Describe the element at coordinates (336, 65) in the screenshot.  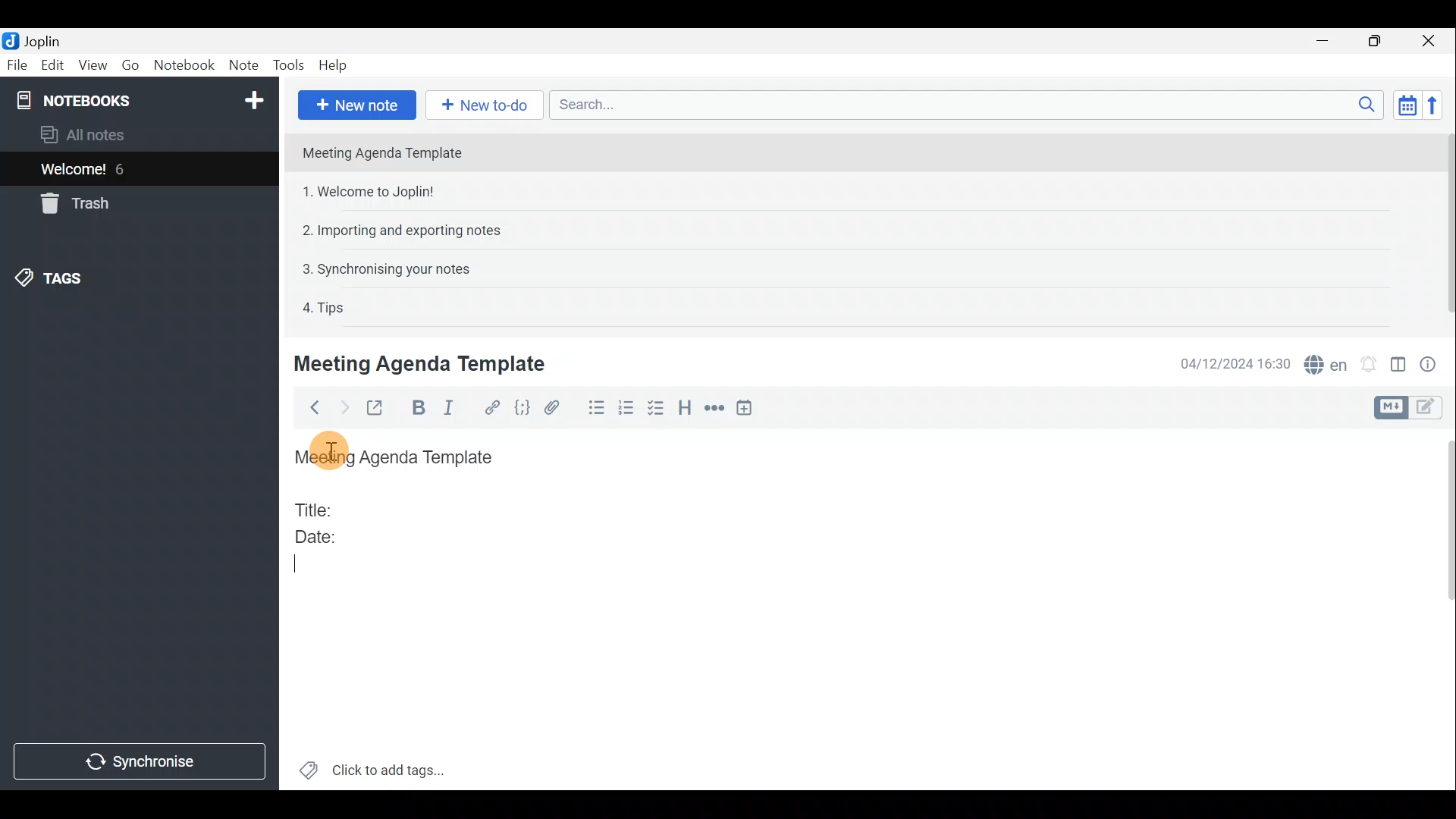
I see `Help` at that location.